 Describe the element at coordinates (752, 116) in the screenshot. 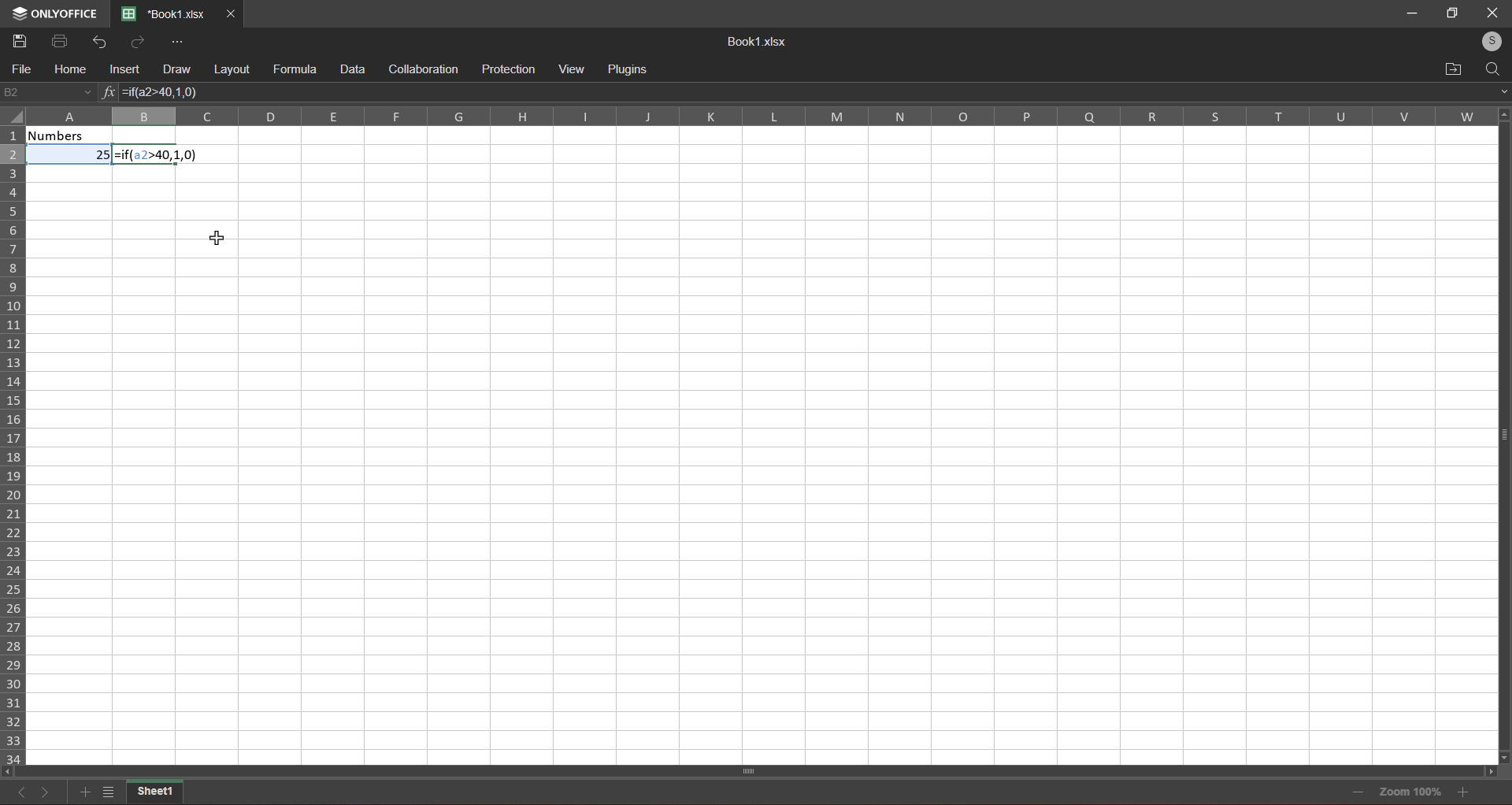

I see `Column Label` at that location.